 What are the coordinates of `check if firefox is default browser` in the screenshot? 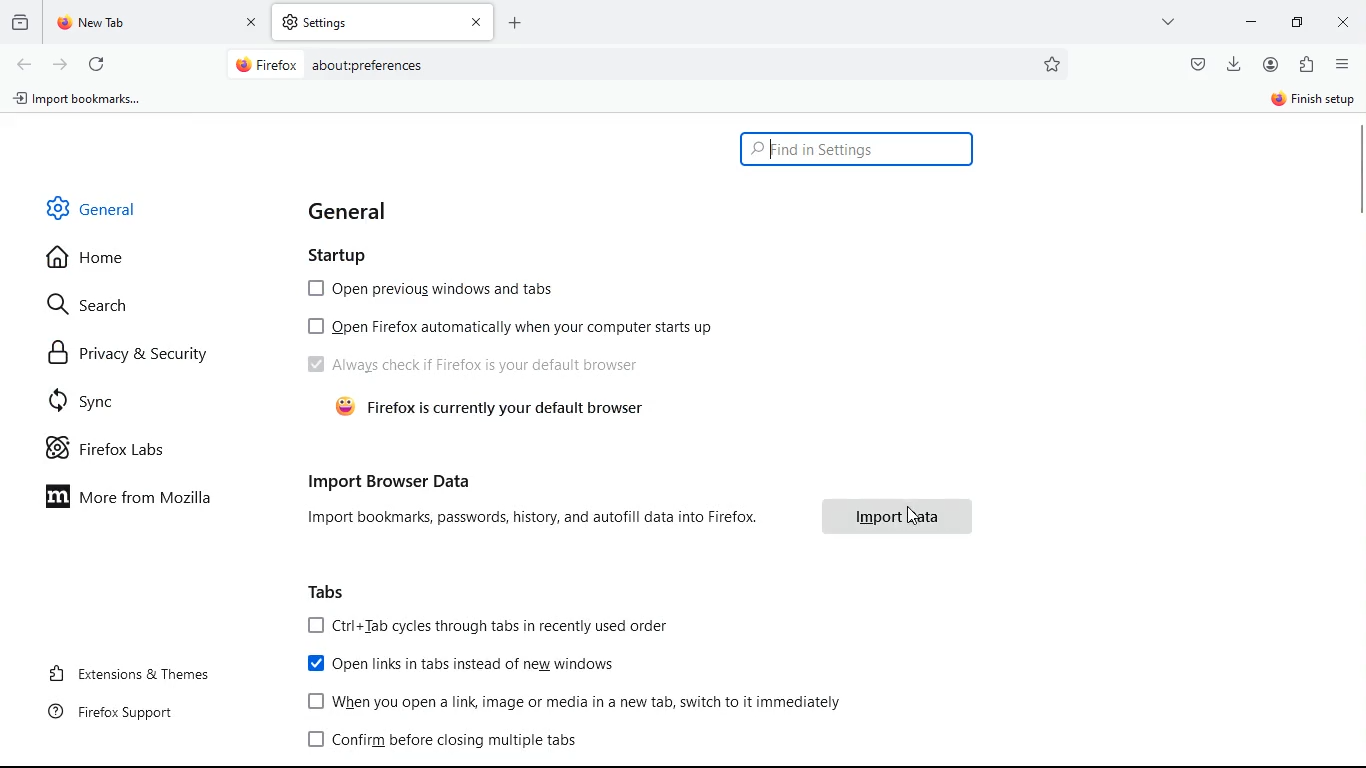 It's located at (475, 364).